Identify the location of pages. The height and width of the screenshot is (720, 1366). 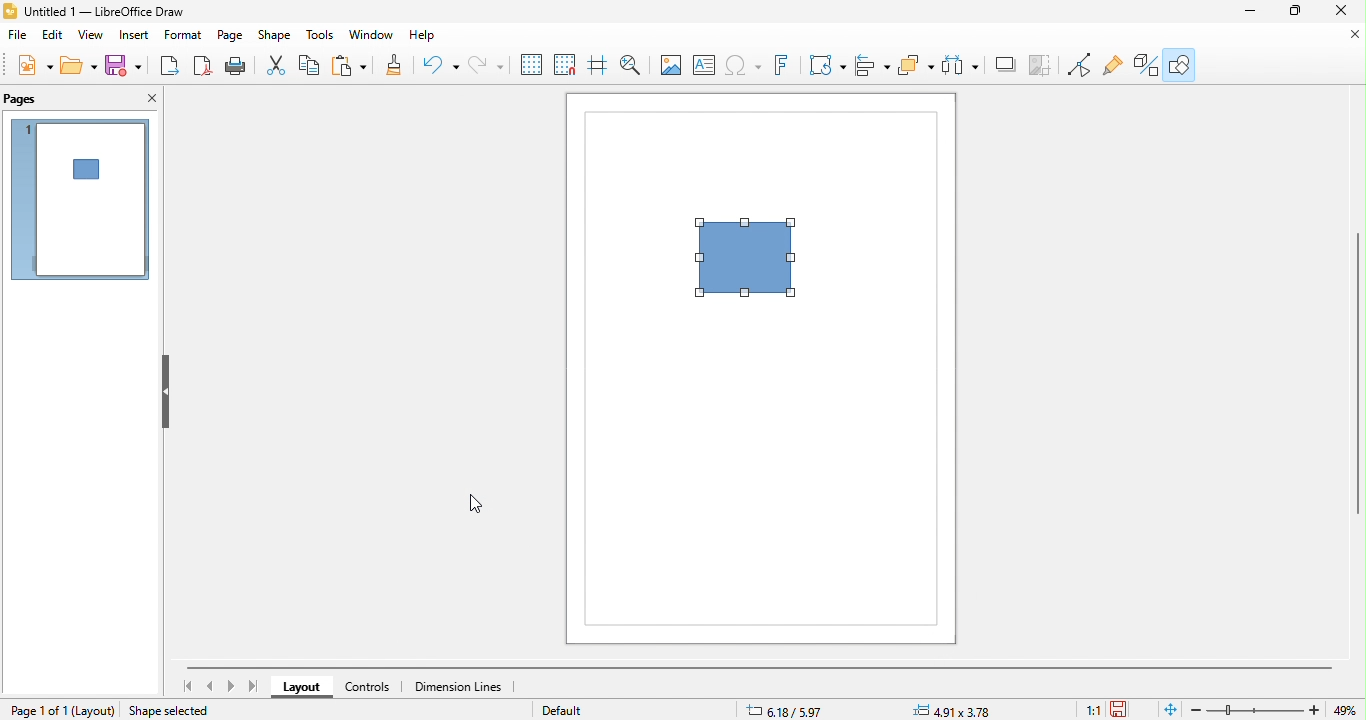
(35, 99).